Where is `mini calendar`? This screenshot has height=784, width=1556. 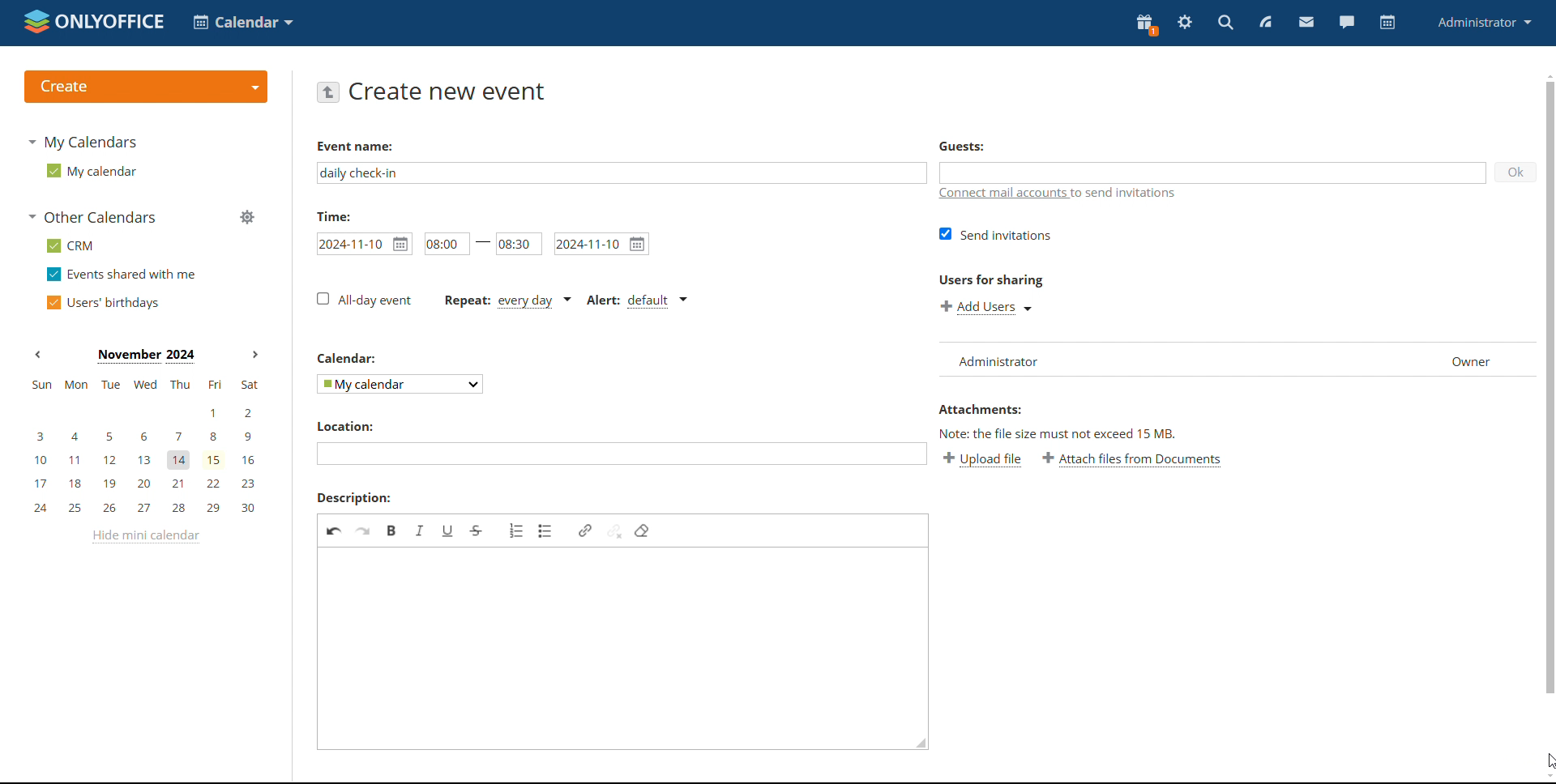
mini calendar is located at coordinates (144, 445).